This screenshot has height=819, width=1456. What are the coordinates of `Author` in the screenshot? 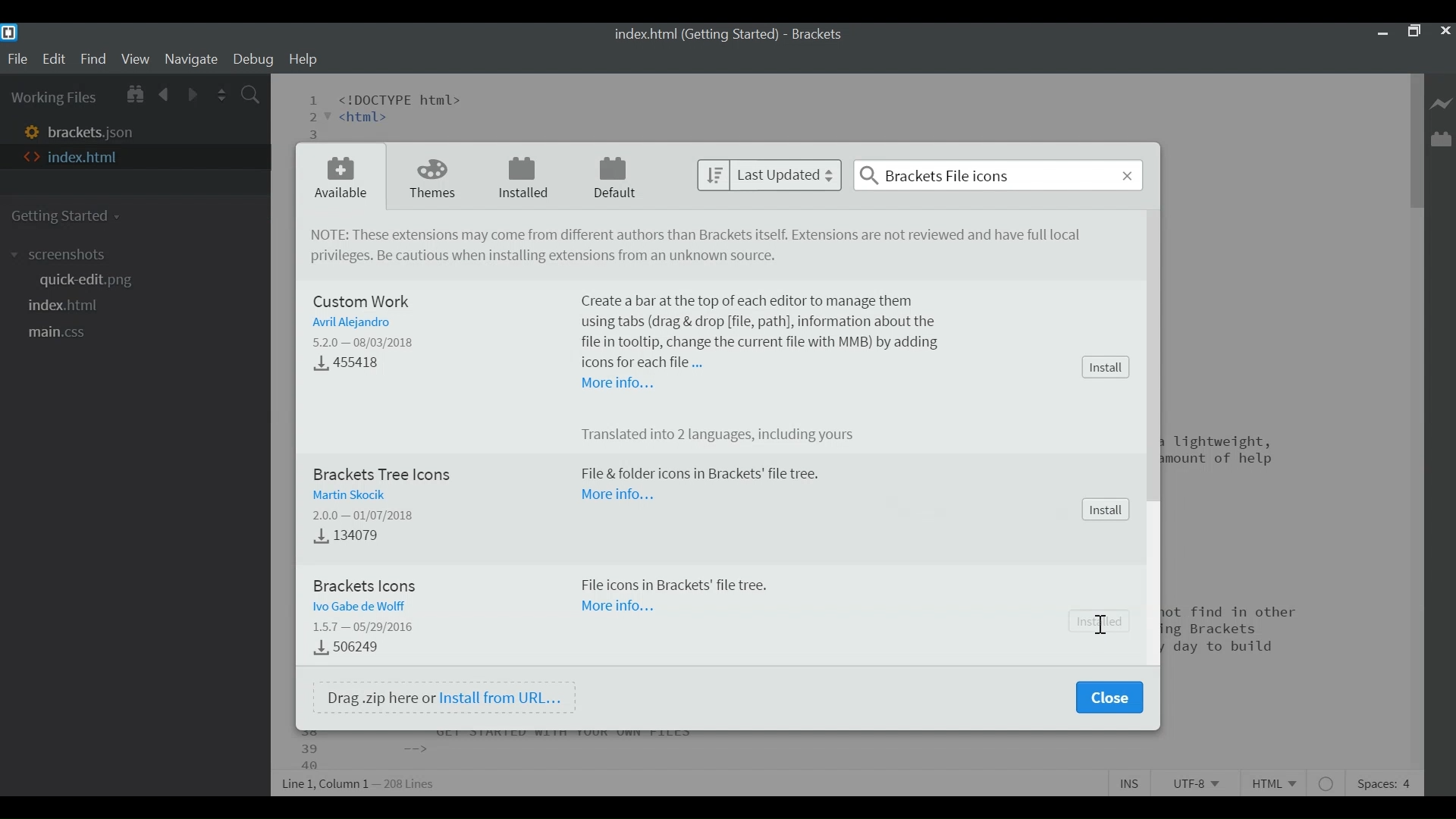 It's located at (362, 606).